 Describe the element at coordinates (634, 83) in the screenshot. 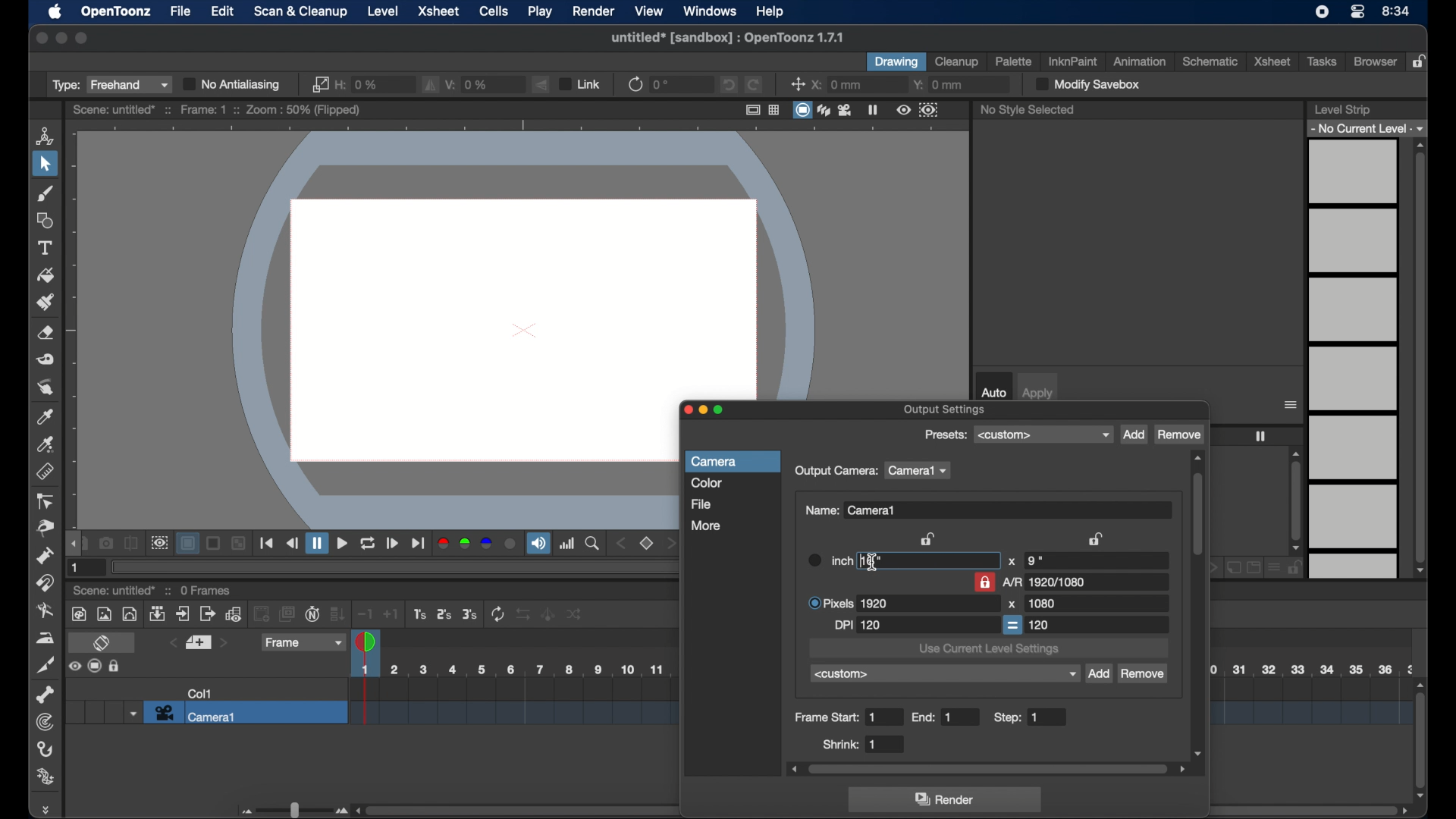

I see `refresh` at that location.